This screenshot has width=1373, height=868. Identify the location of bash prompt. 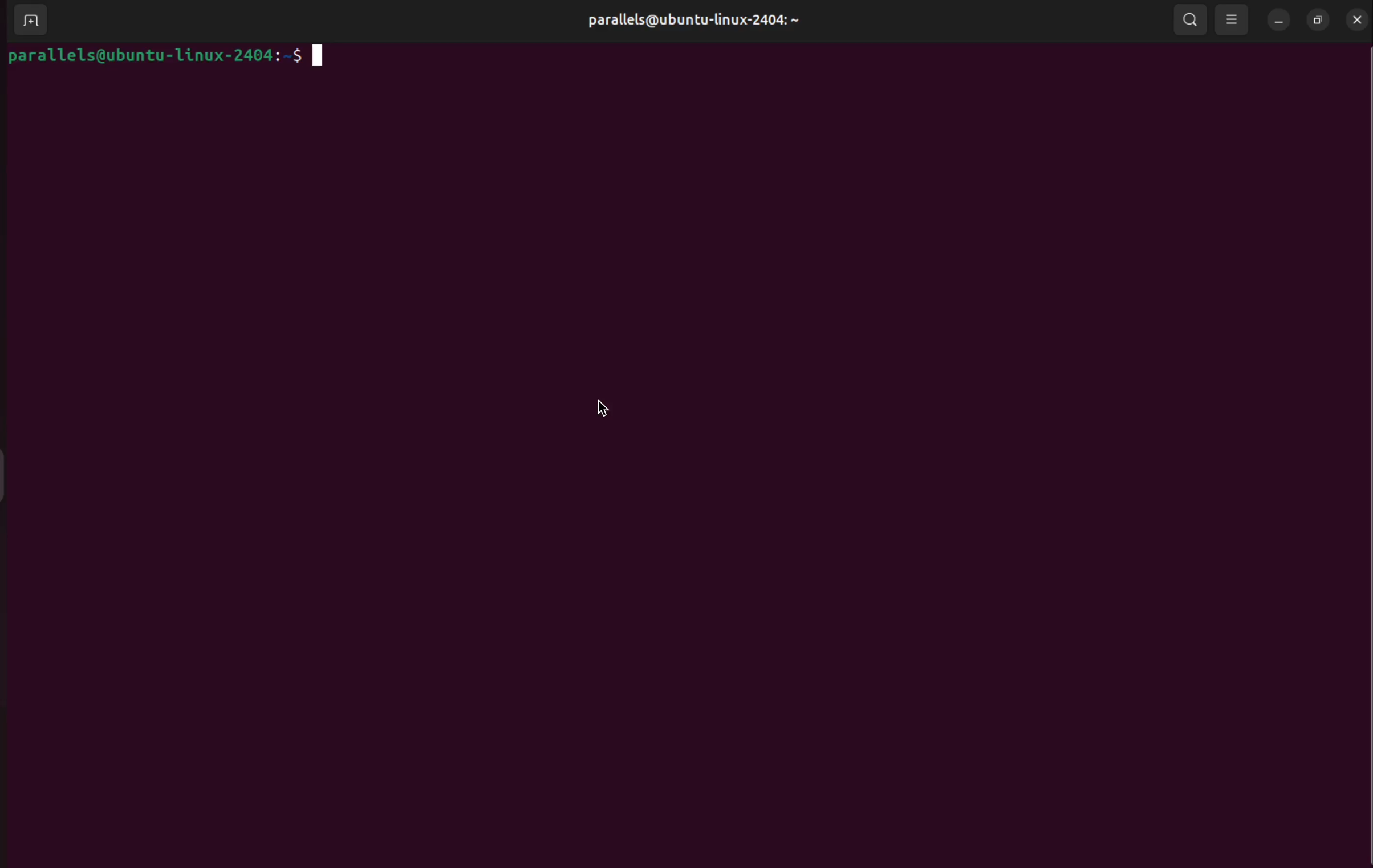
(165, 55).